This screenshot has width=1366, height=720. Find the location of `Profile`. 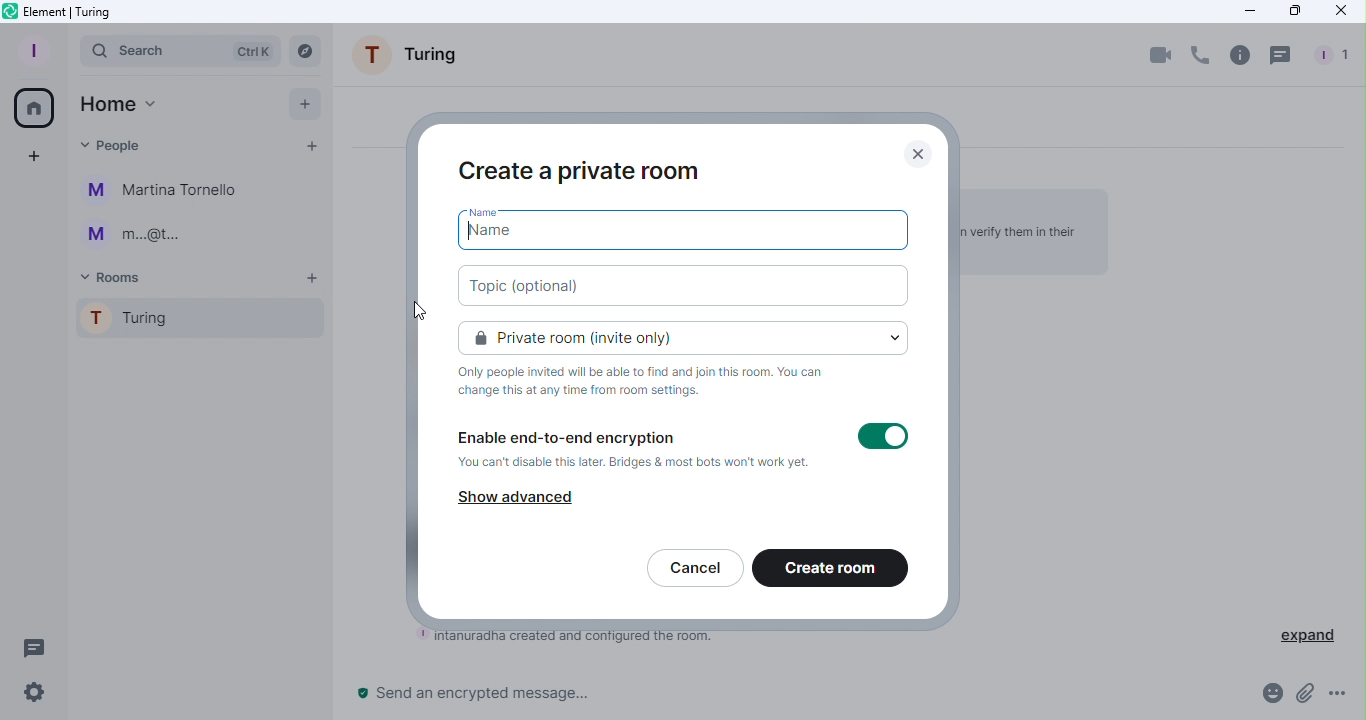

Profile is located at coordinates (30, 49).